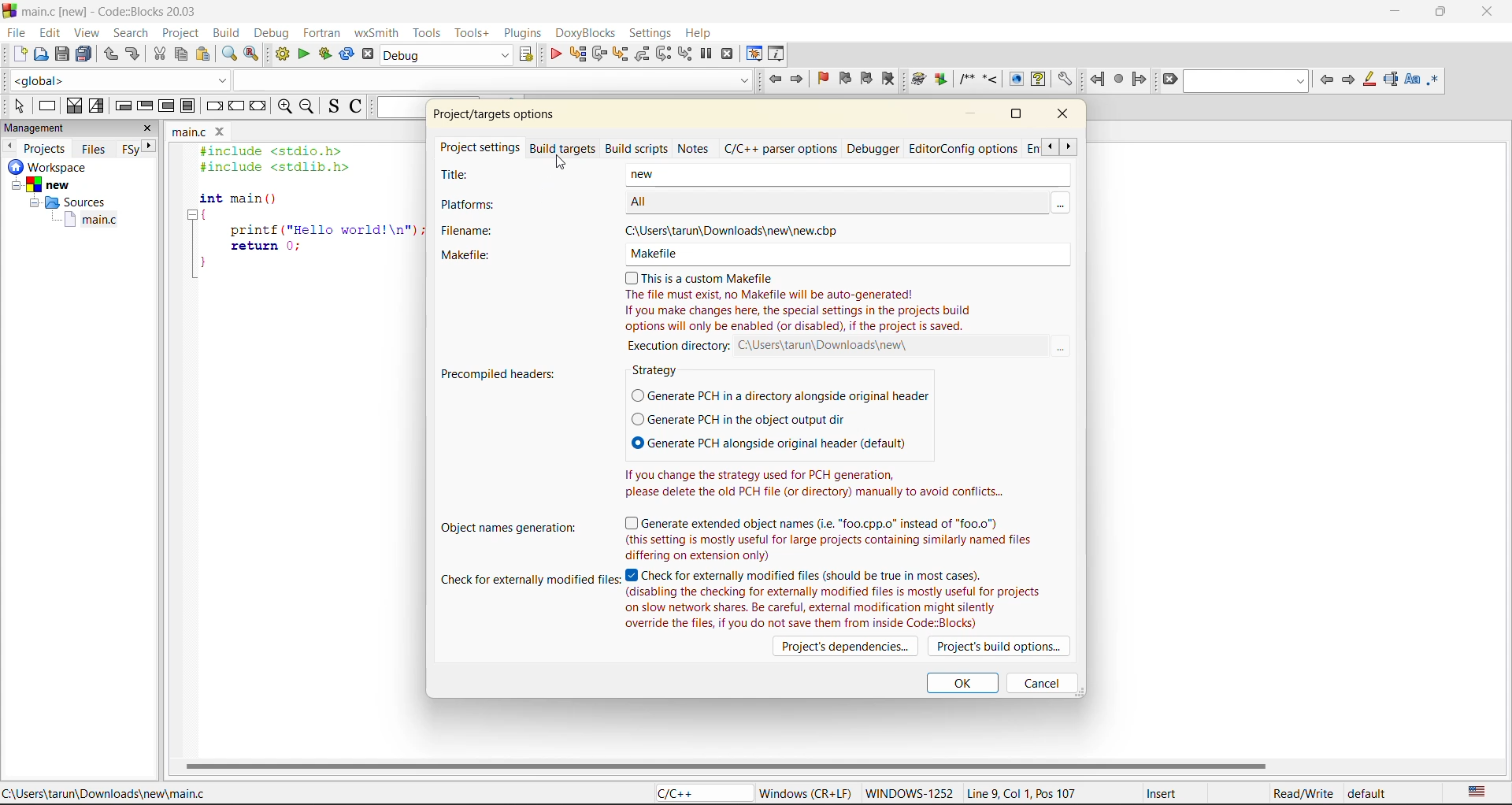 The width and height of the screenshot is (1512, 805). Describe the element at coordinates (283, 109) in the screenshot. I see `zoom in` at that location.